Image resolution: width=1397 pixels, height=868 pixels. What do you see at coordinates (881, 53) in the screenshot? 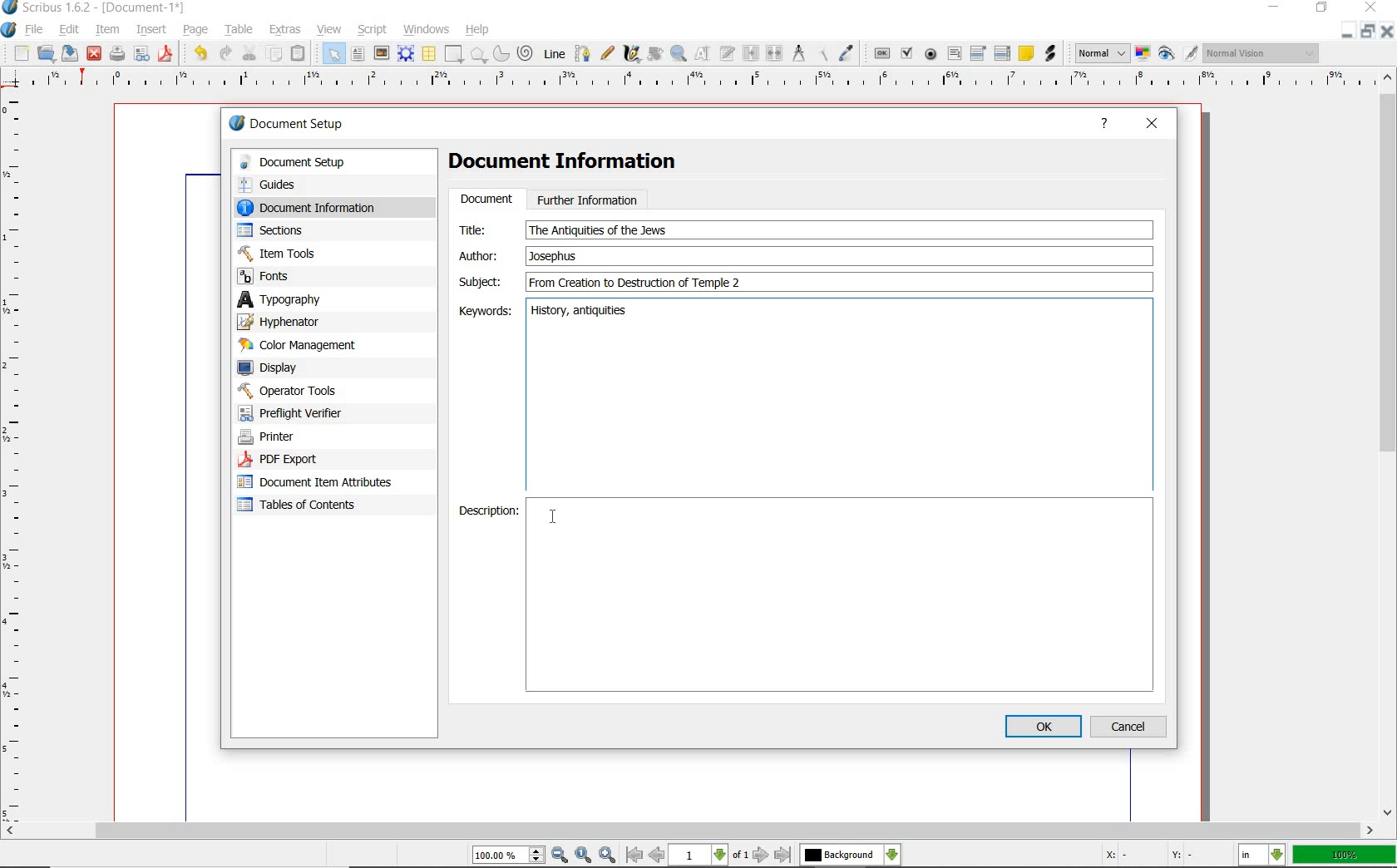
I see `pdf push button` at bounding box center [881, 53].